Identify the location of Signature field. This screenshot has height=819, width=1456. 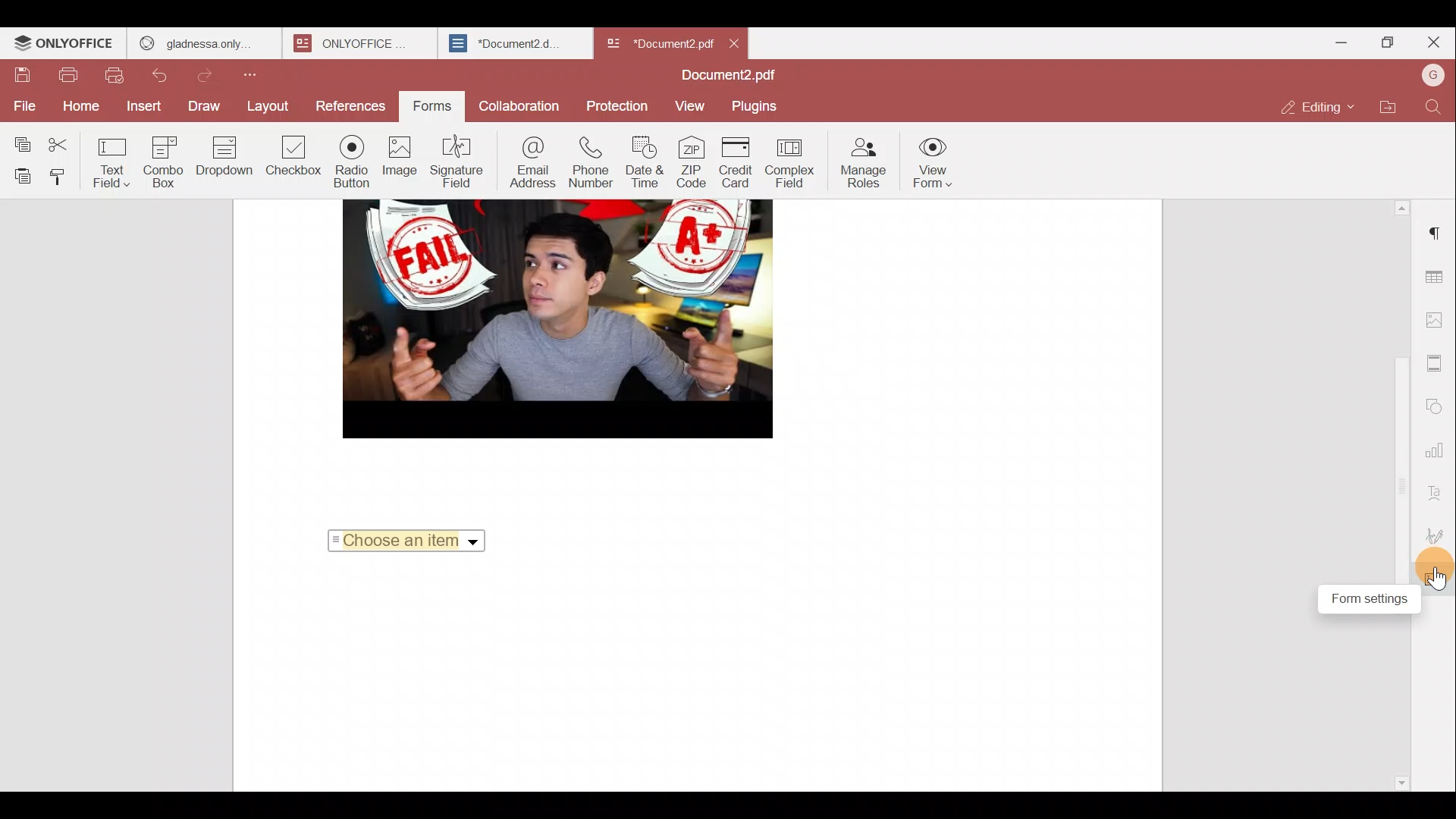
(457, 161).